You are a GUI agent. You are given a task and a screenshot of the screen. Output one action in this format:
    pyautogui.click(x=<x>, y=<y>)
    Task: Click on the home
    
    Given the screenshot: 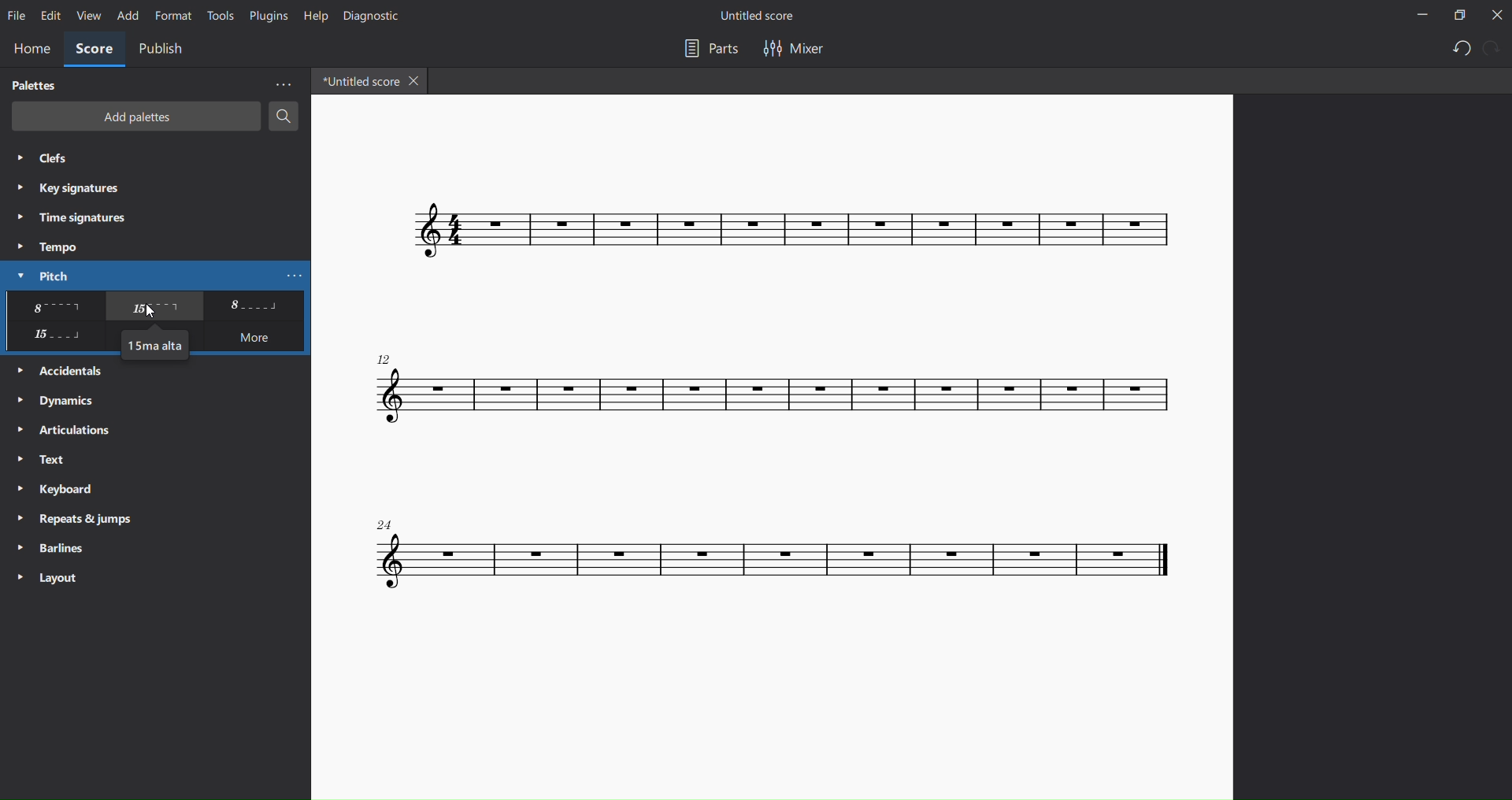 What is the action you would take?
    pyautogui.click(x=28, y=50)
    